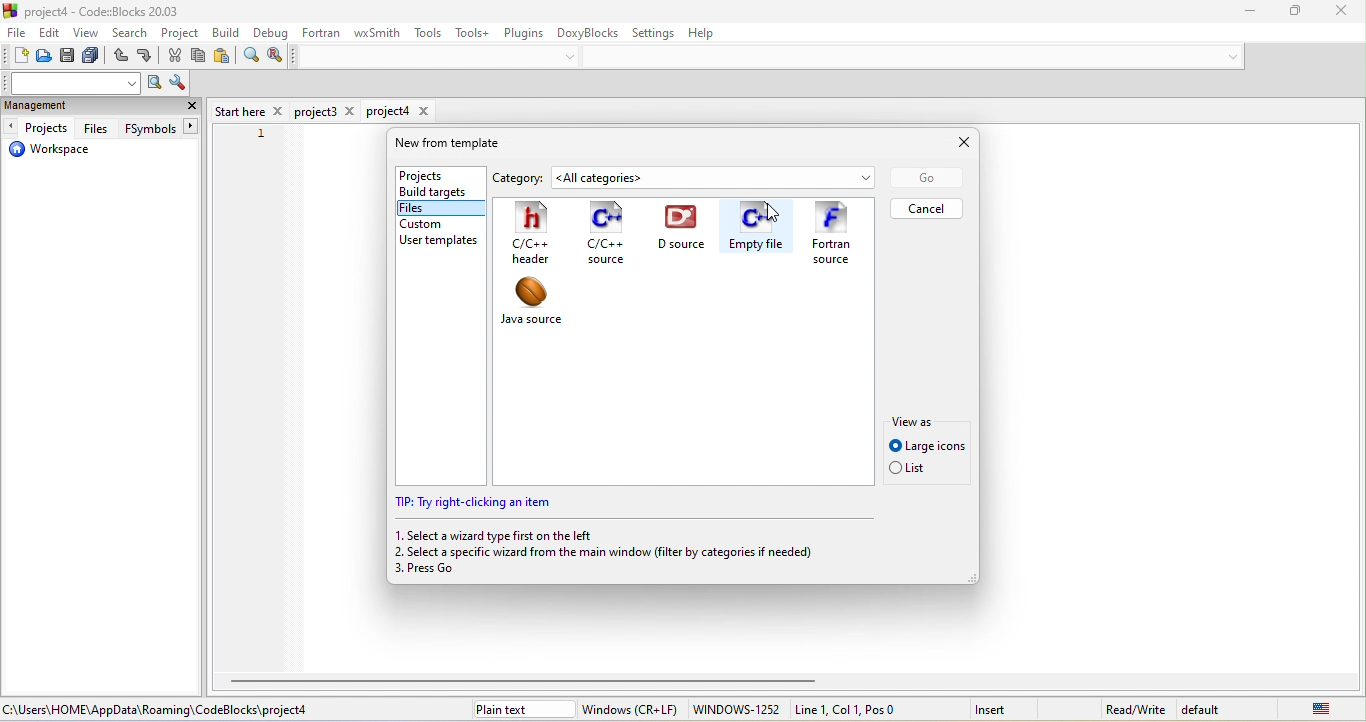  Describe the element at coordinates (177, 84) in the screenshot. I see `show option window` at that location.